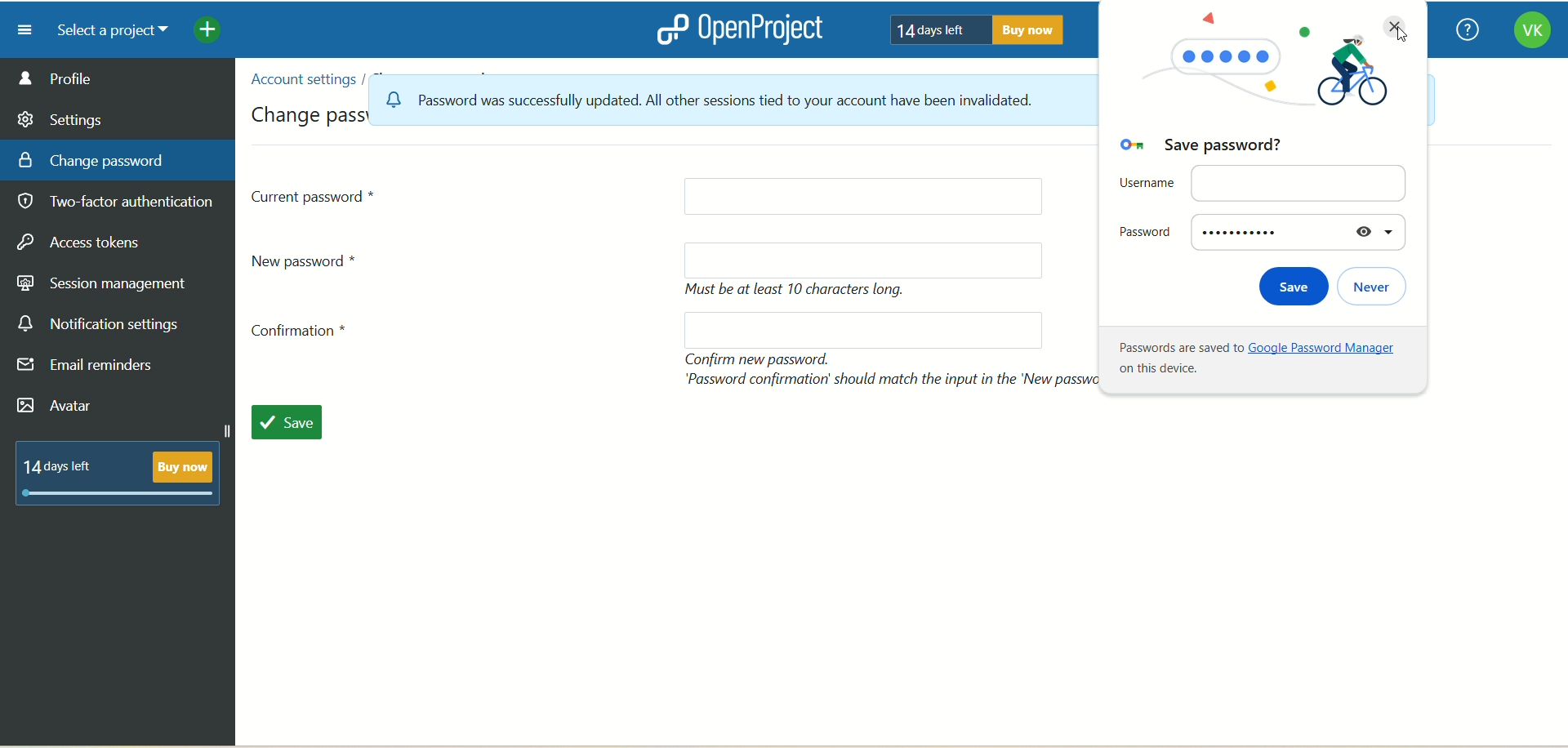 This screenshot has width=1568, height=748. I want to click on account, so click(1531, 33).